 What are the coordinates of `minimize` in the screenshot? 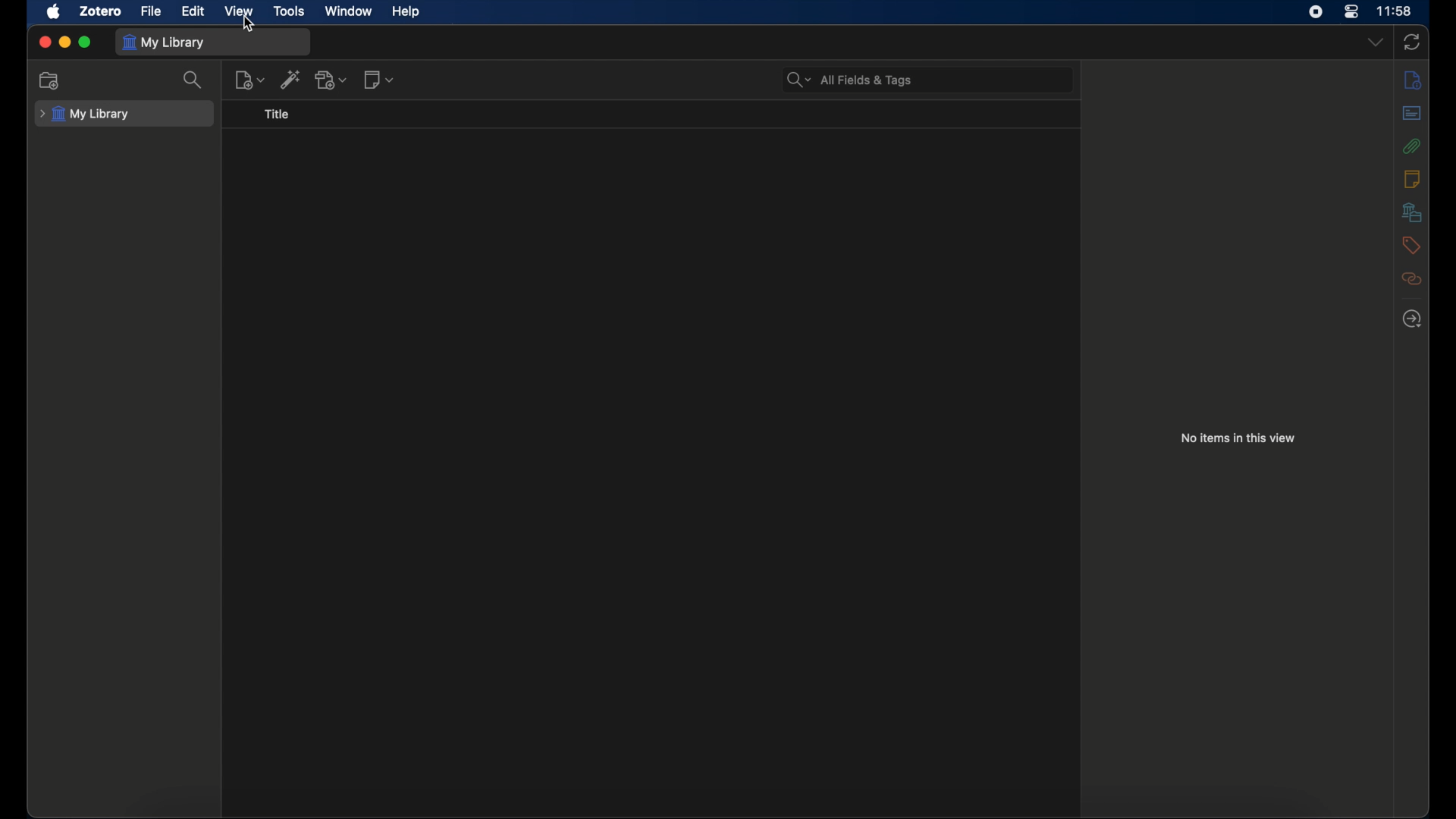 It's located at (64, 42).